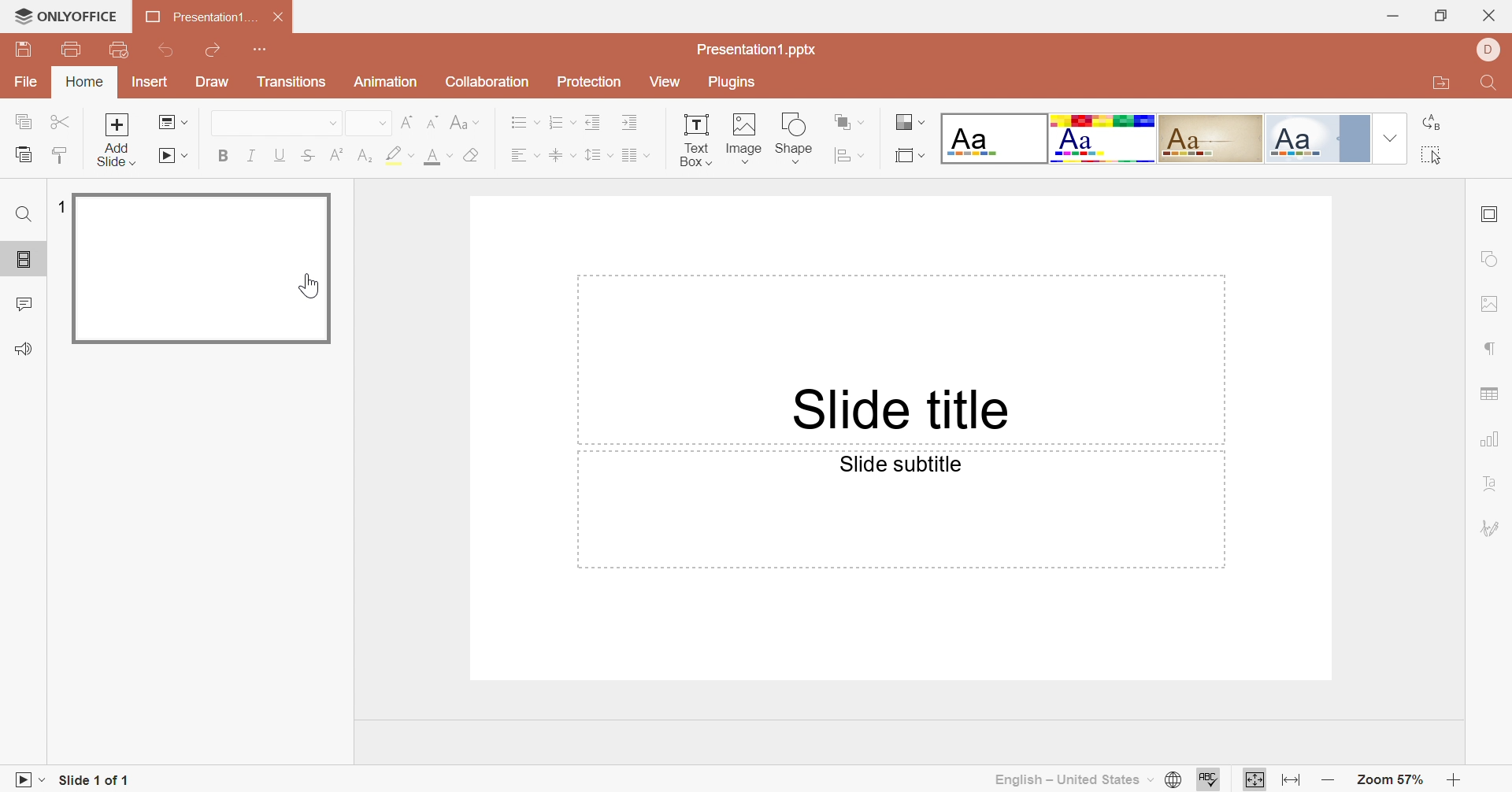  I want to click on Drop Down, so click(1151, 777).